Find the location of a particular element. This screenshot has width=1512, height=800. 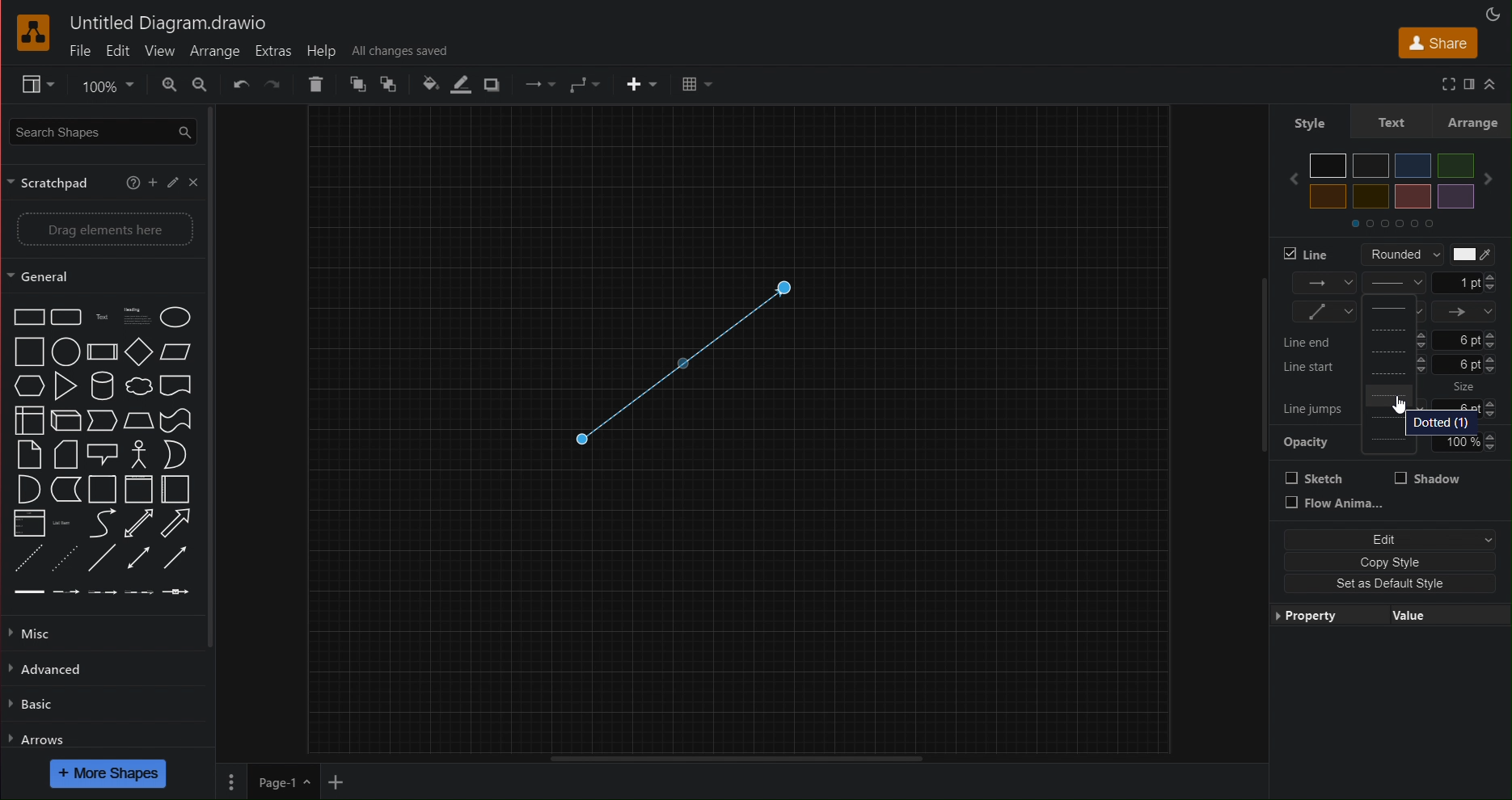

Extras is located at coordinates (273, 51).